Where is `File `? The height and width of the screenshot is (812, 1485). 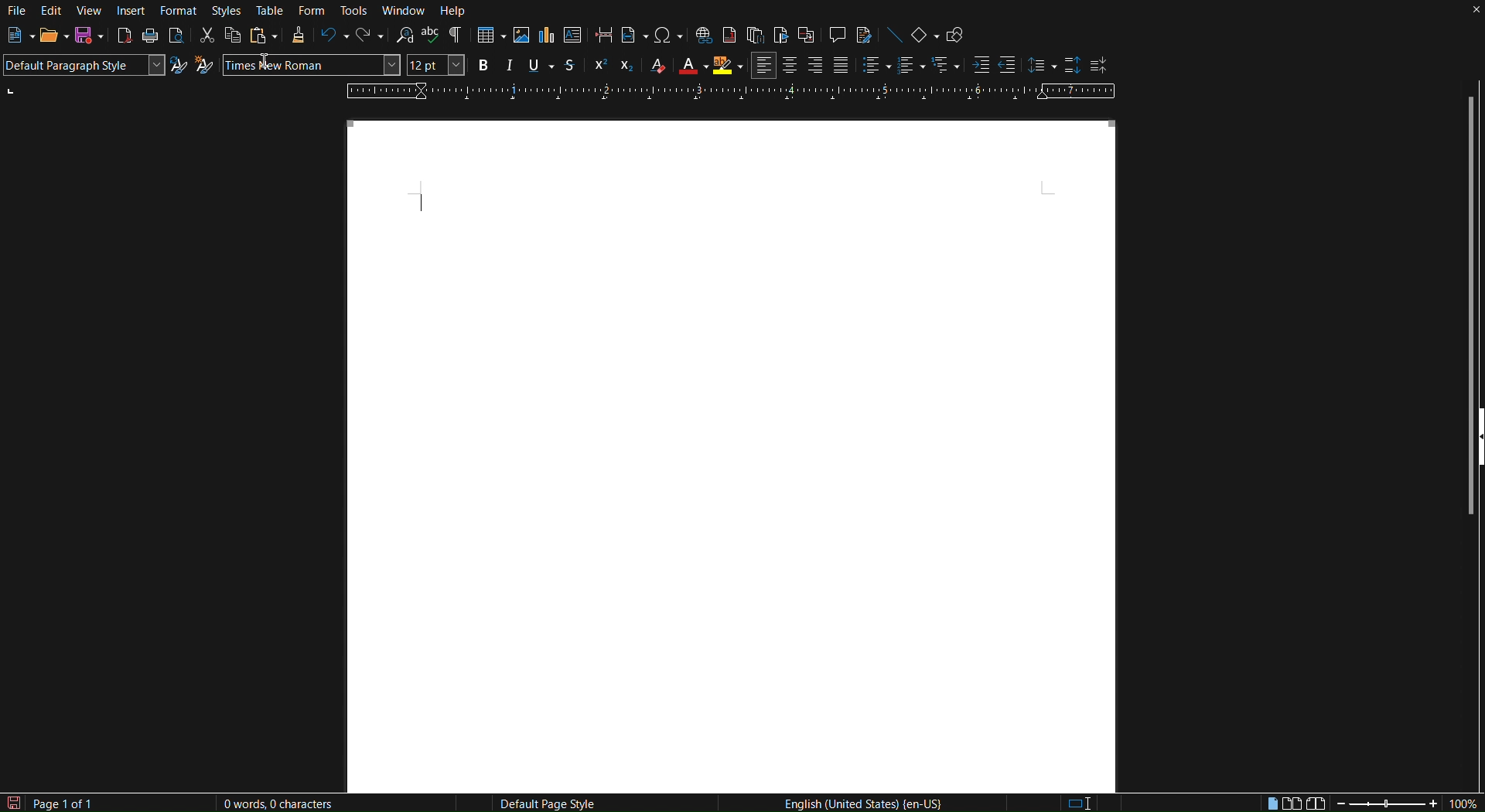
File  is located at coordinates (17, 11).